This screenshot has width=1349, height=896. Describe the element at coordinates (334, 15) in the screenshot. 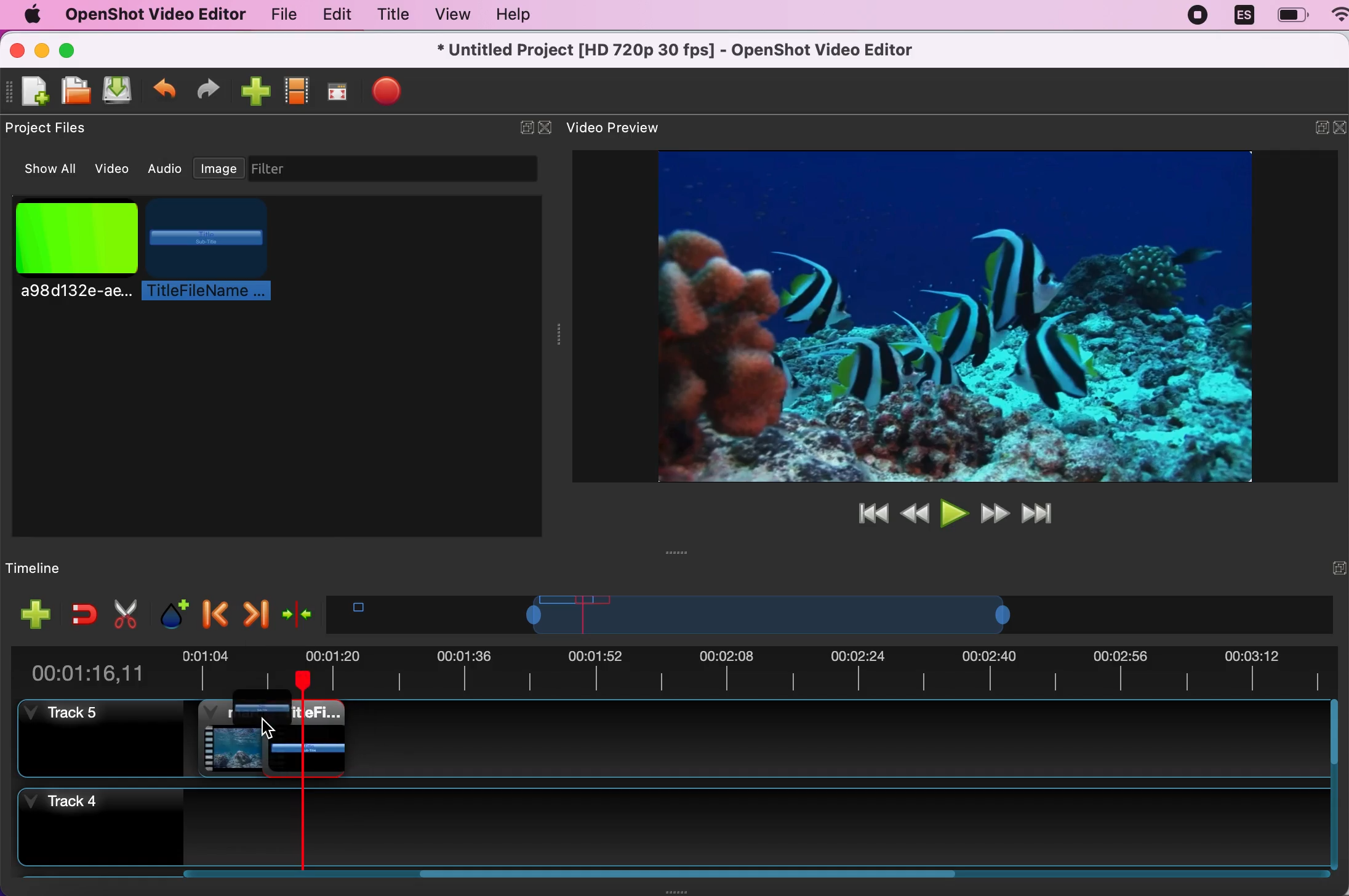

I see `edit` at that location.